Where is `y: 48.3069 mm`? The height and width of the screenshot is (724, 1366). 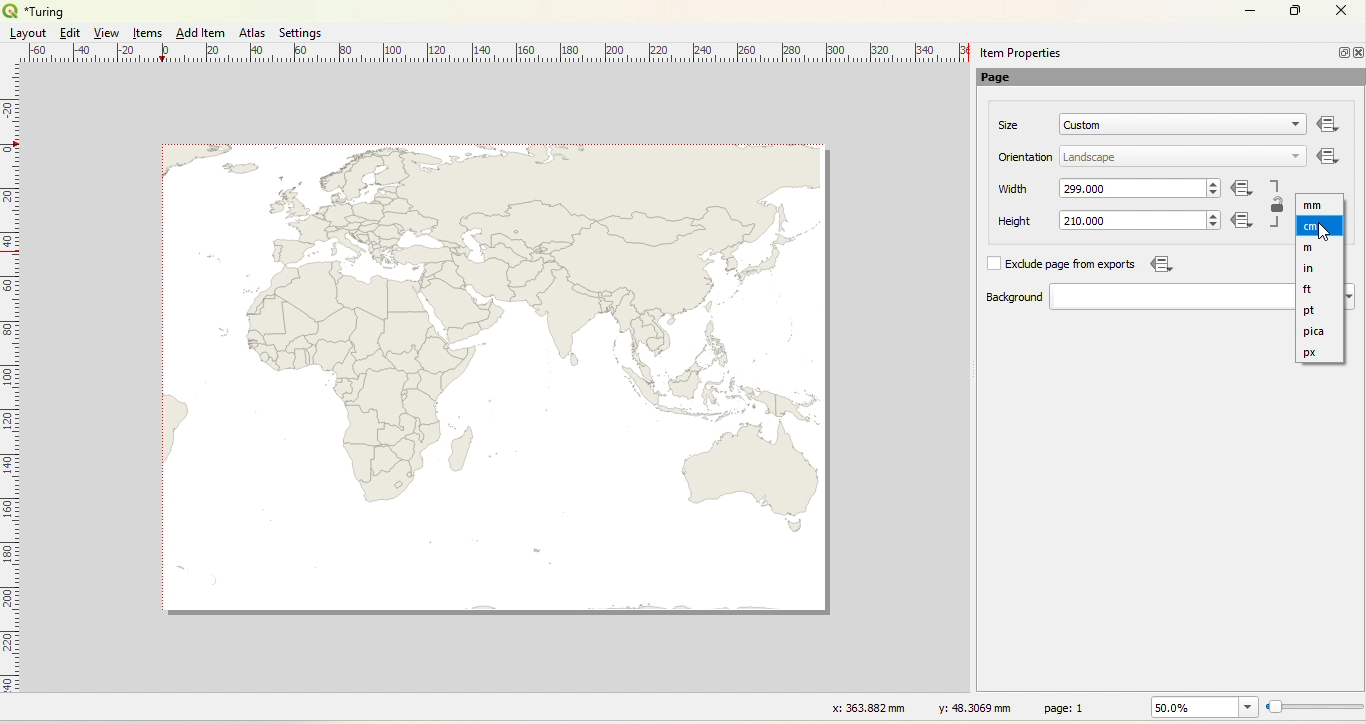
y: 48.3069 mm is located at coordinates (968, 707).